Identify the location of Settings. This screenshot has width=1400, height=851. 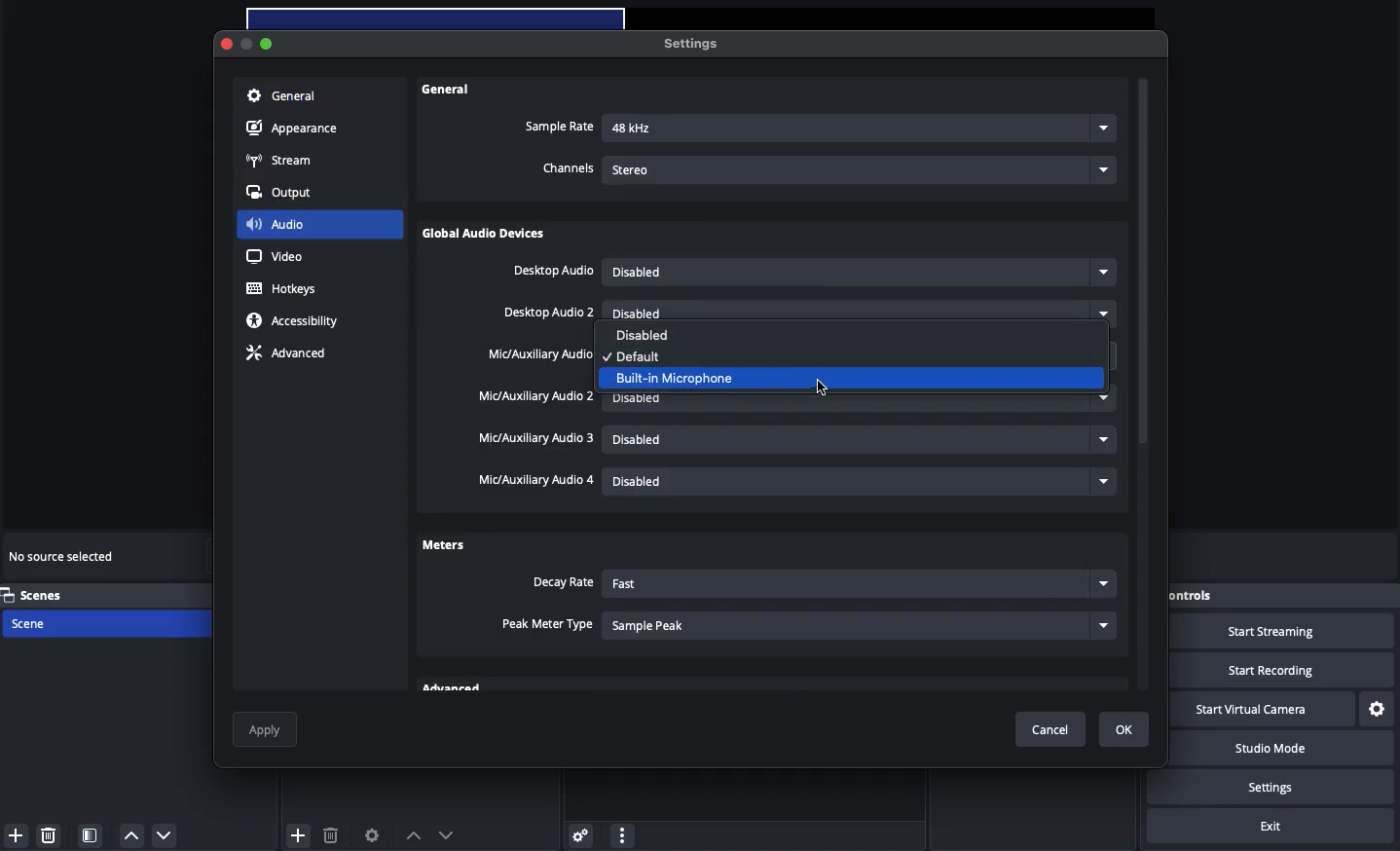
(1378, 710).